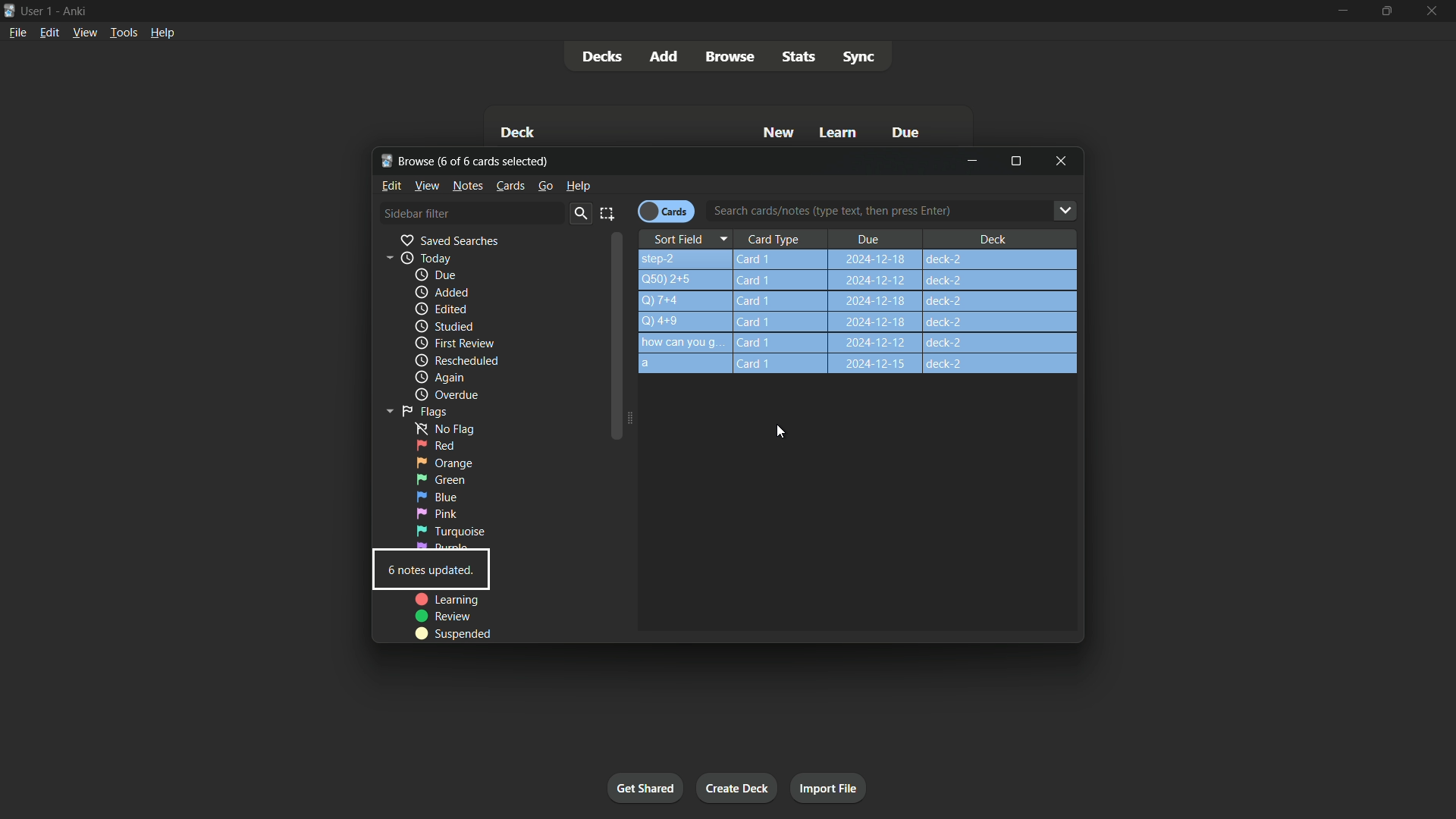 The height and width of the screenshot is (819, 1456). I want to click on pink, so click(437, 513).